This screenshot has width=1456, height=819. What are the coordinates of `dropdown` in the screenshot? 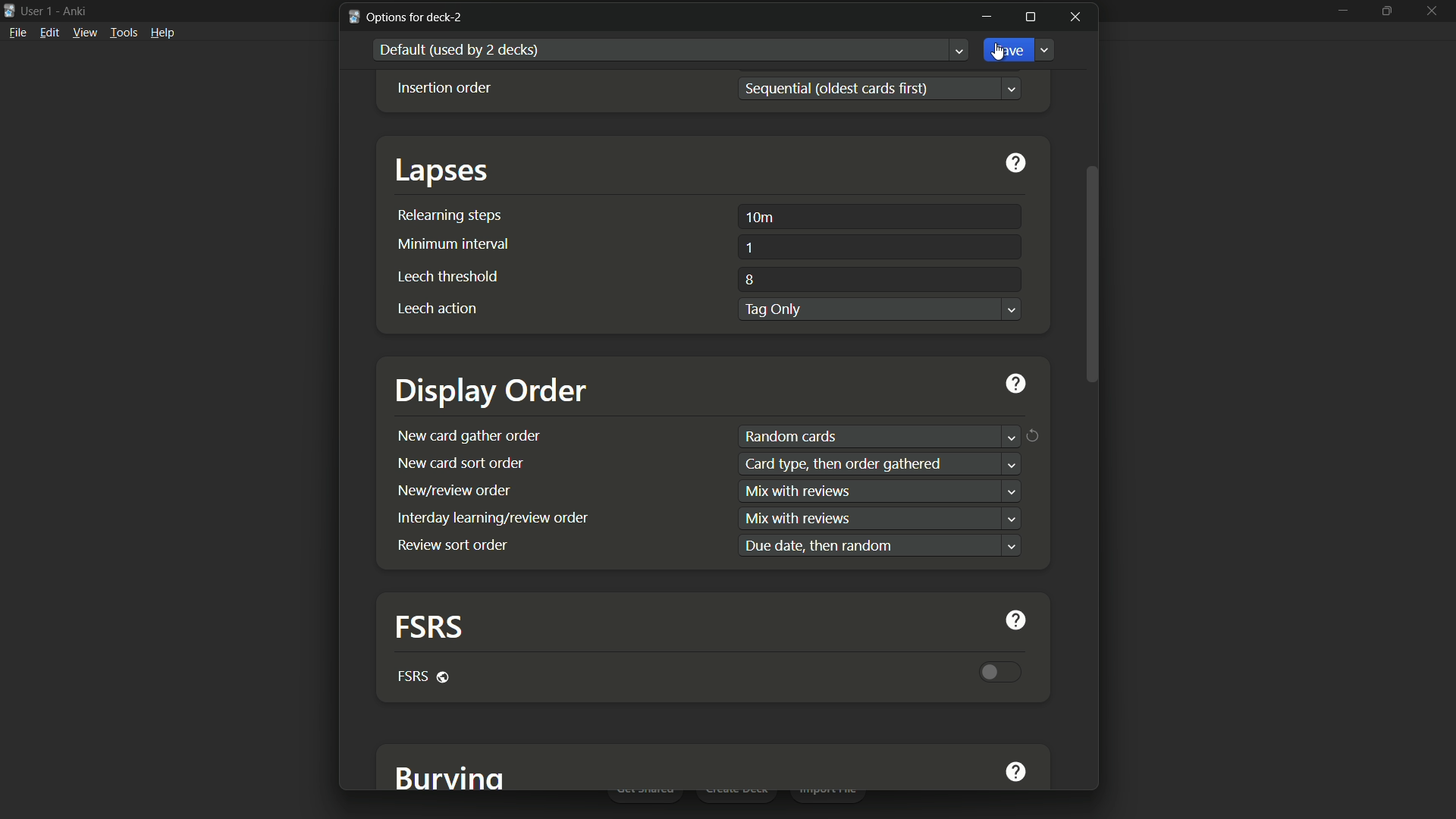 It's located at (1011, 466).